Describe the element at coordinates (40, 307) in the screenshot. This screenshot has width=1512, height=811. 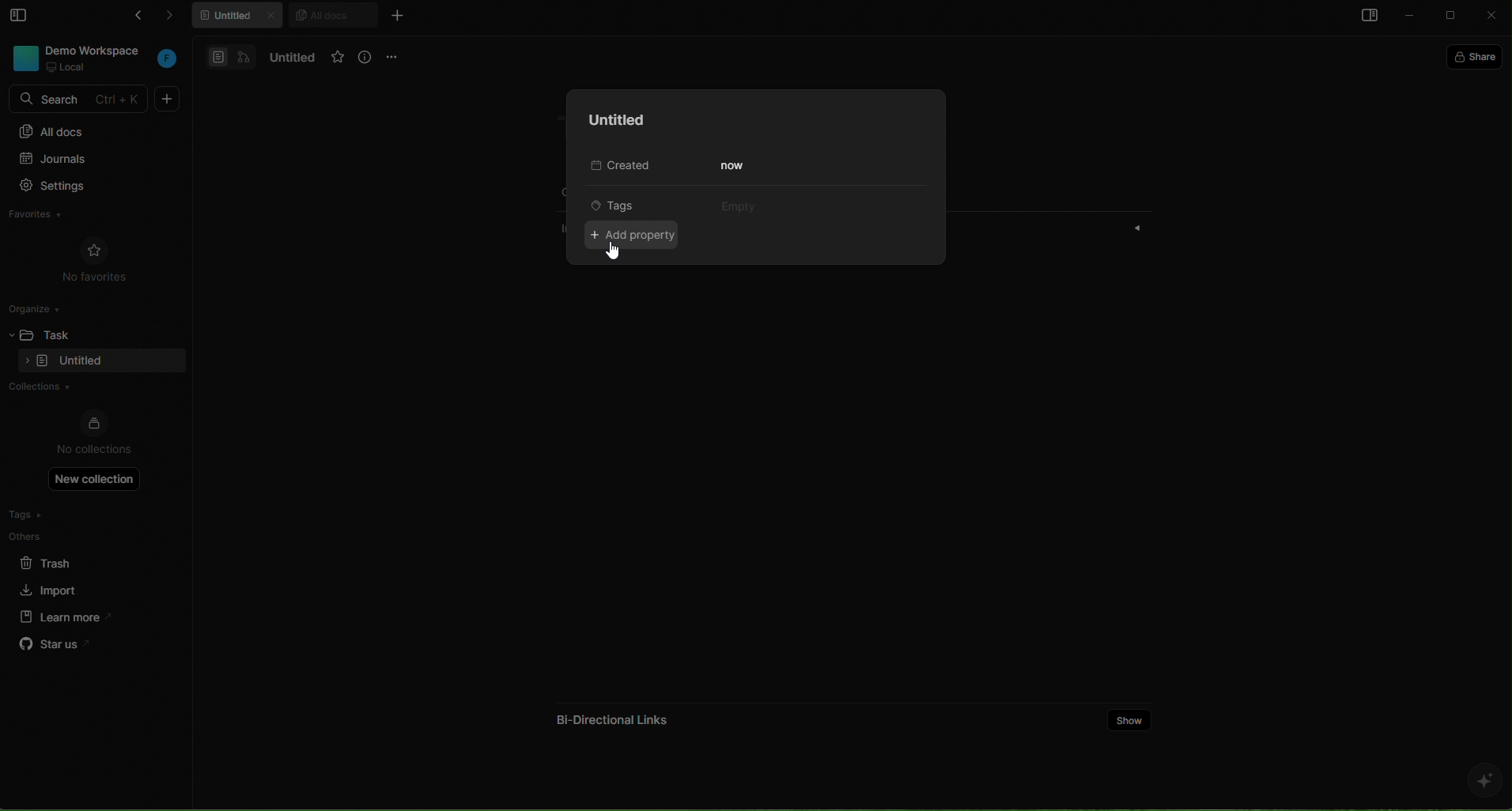
I see `organize` at that location.